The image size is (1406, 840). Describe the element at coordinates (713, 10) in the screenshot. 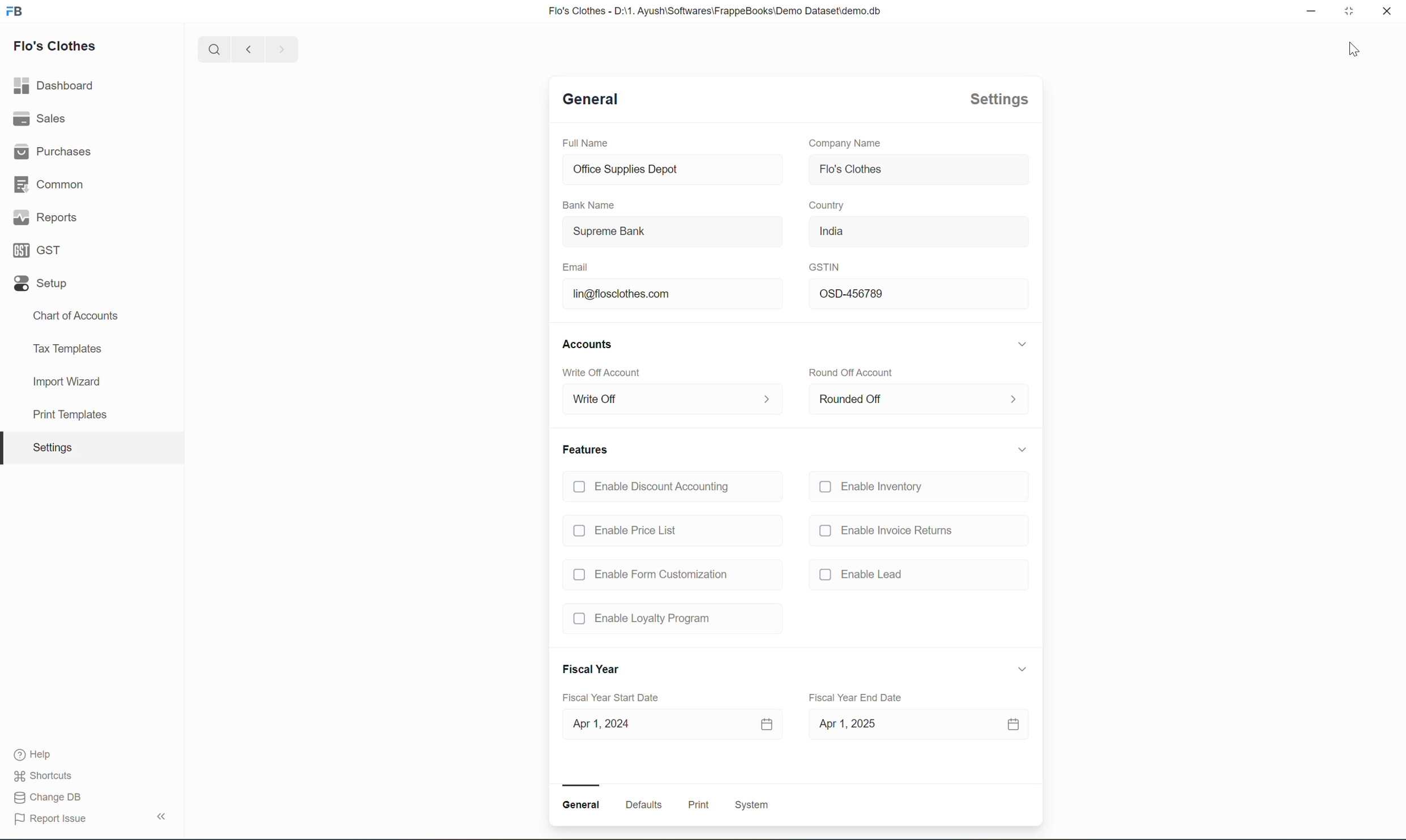

I see `Flo's Clothes - D:\1. Ayush\Softwares\FrappeBooks\Demo Dataset\demo.db` at that location.